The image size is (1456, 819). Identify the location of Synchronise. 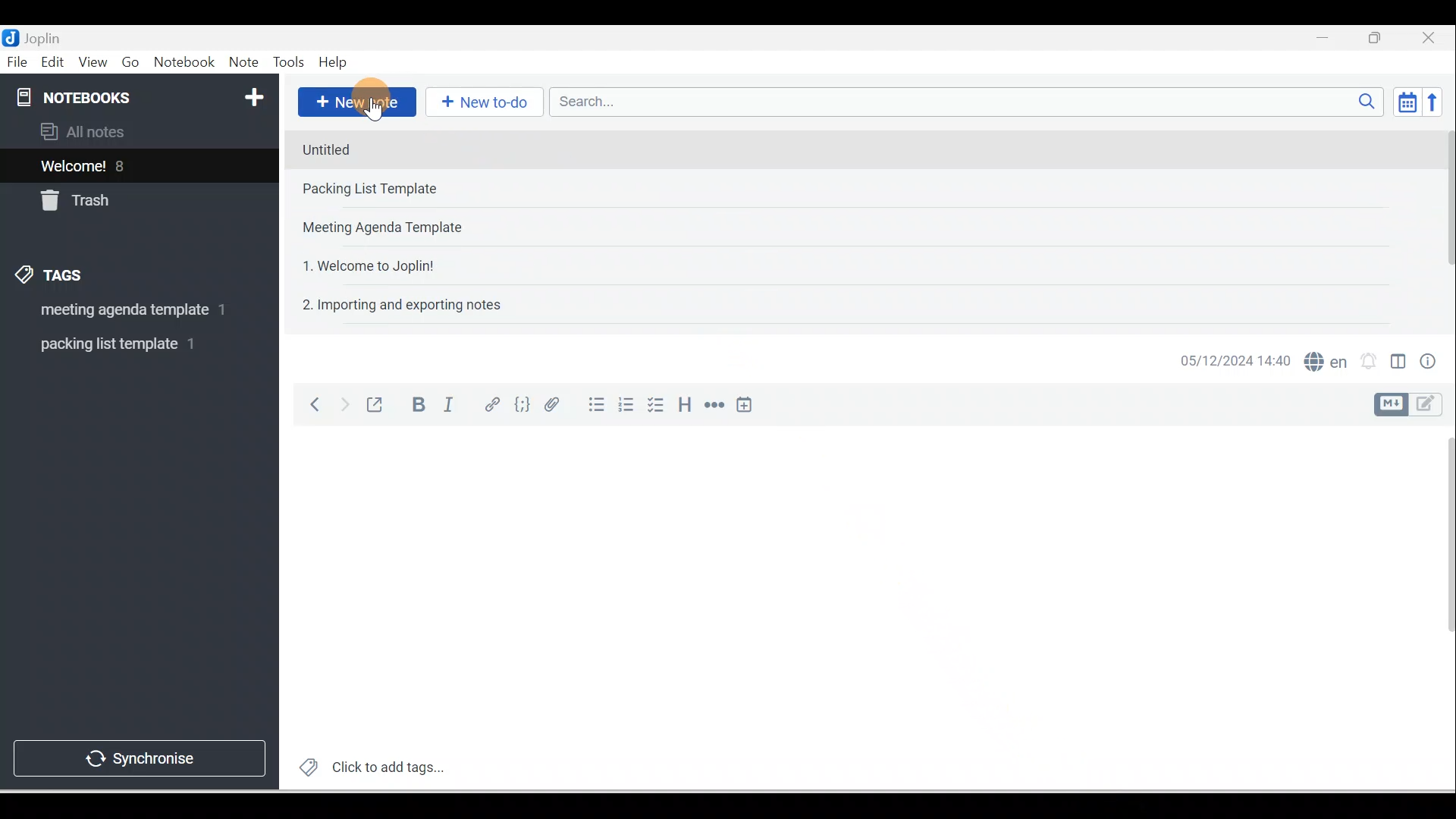
(138, 755).